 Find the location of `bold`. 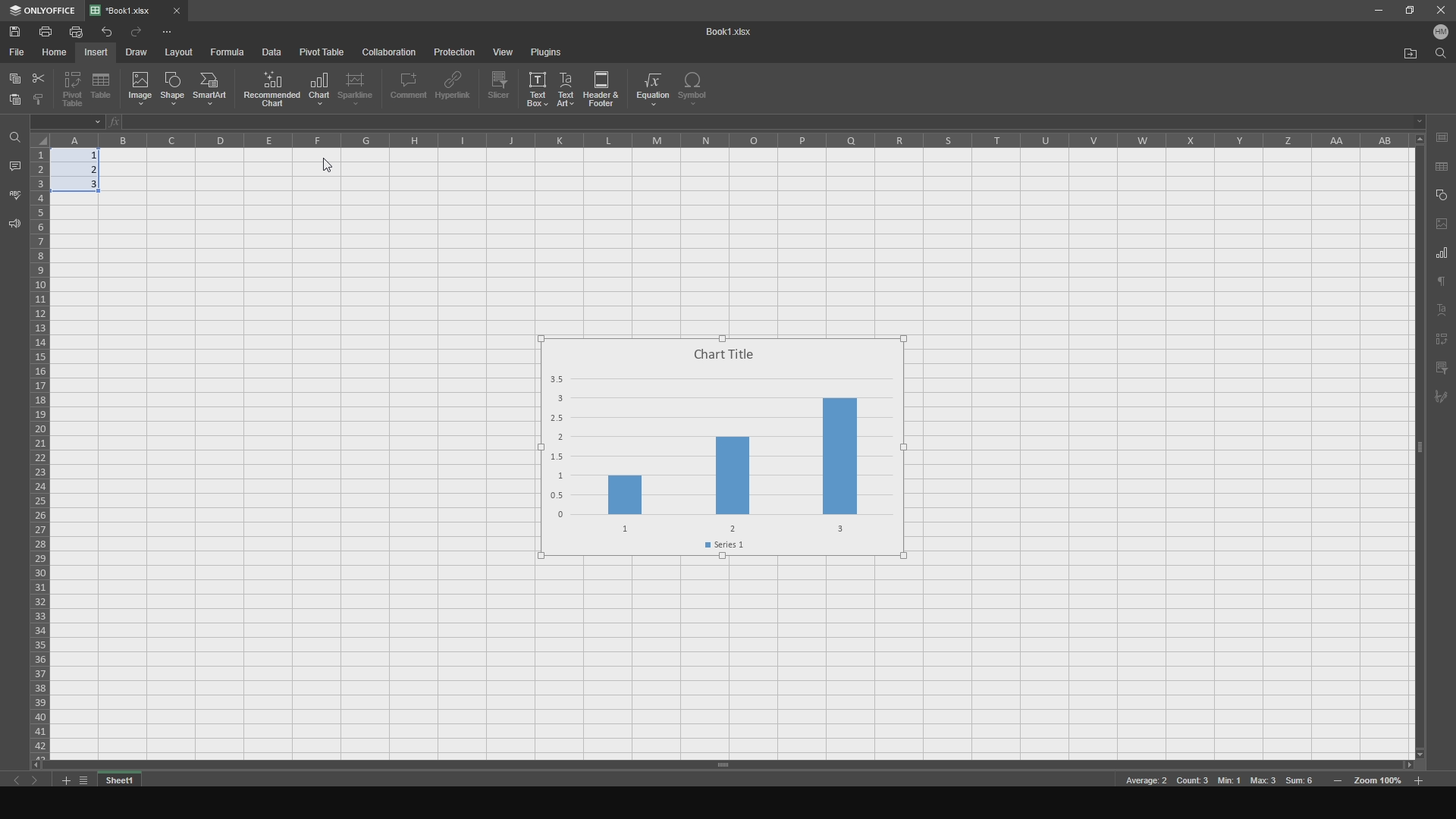

bold is located at coordinates (40, 101).